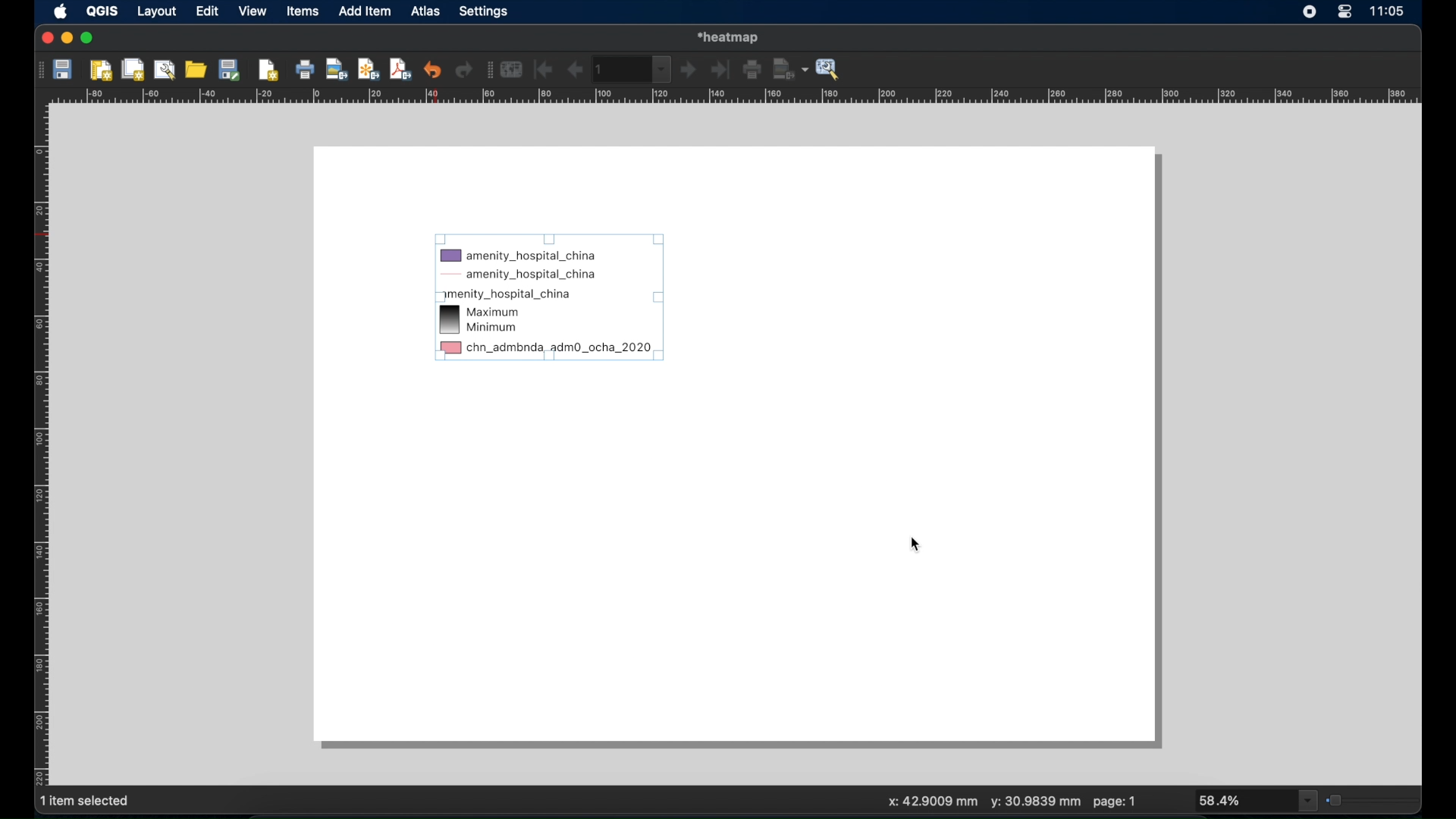 The height and width of the screenshot is (819, 1456). What do you see at coordinates (917, 544) in the screenshot?
I see `cursor` at bounding box center [917, 544].